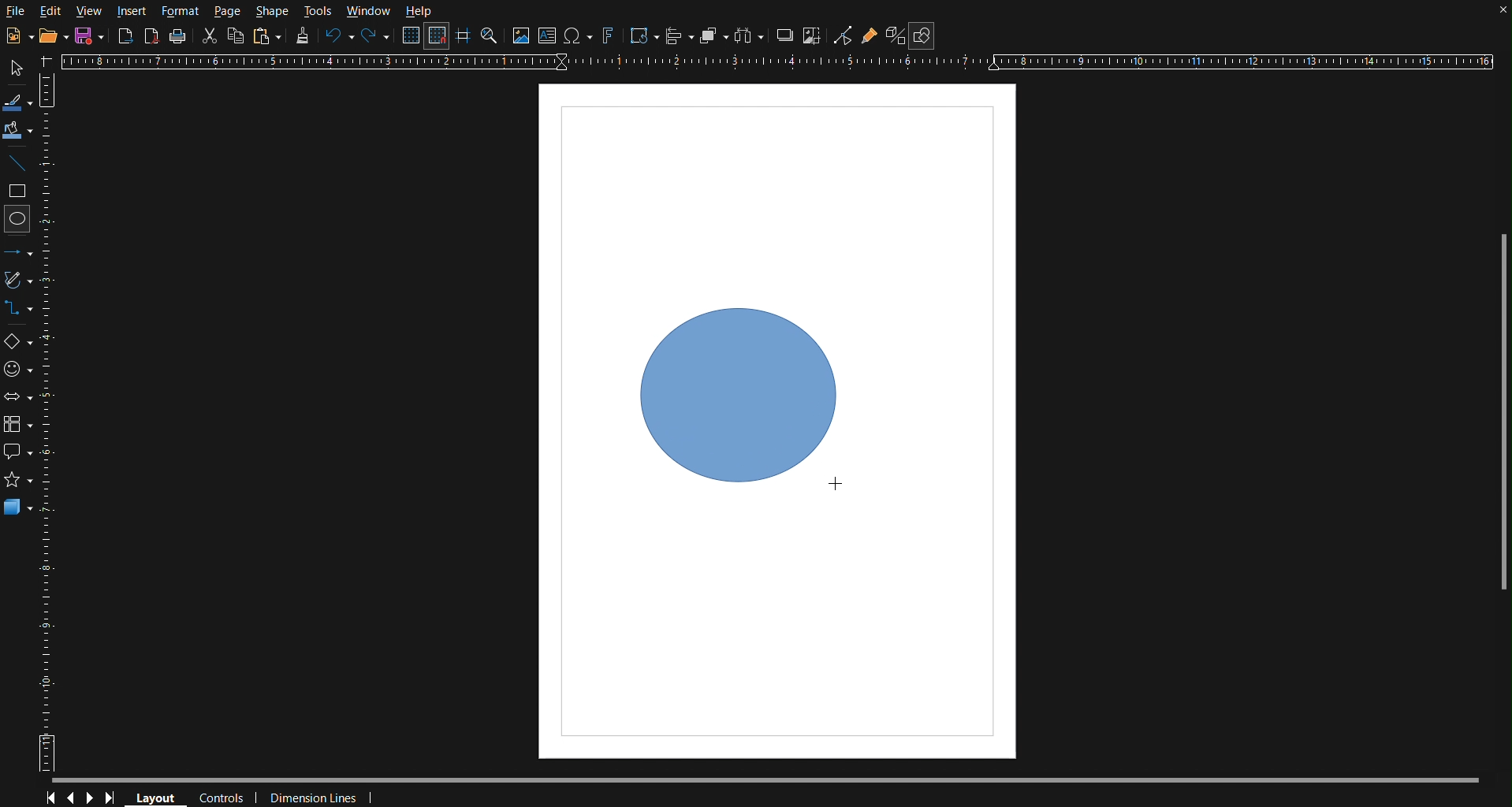 This screenshot has width=1512, height=807. Describe the element at coordinates (522, 35) in the screenshot. I see `Insert Image` at that location.